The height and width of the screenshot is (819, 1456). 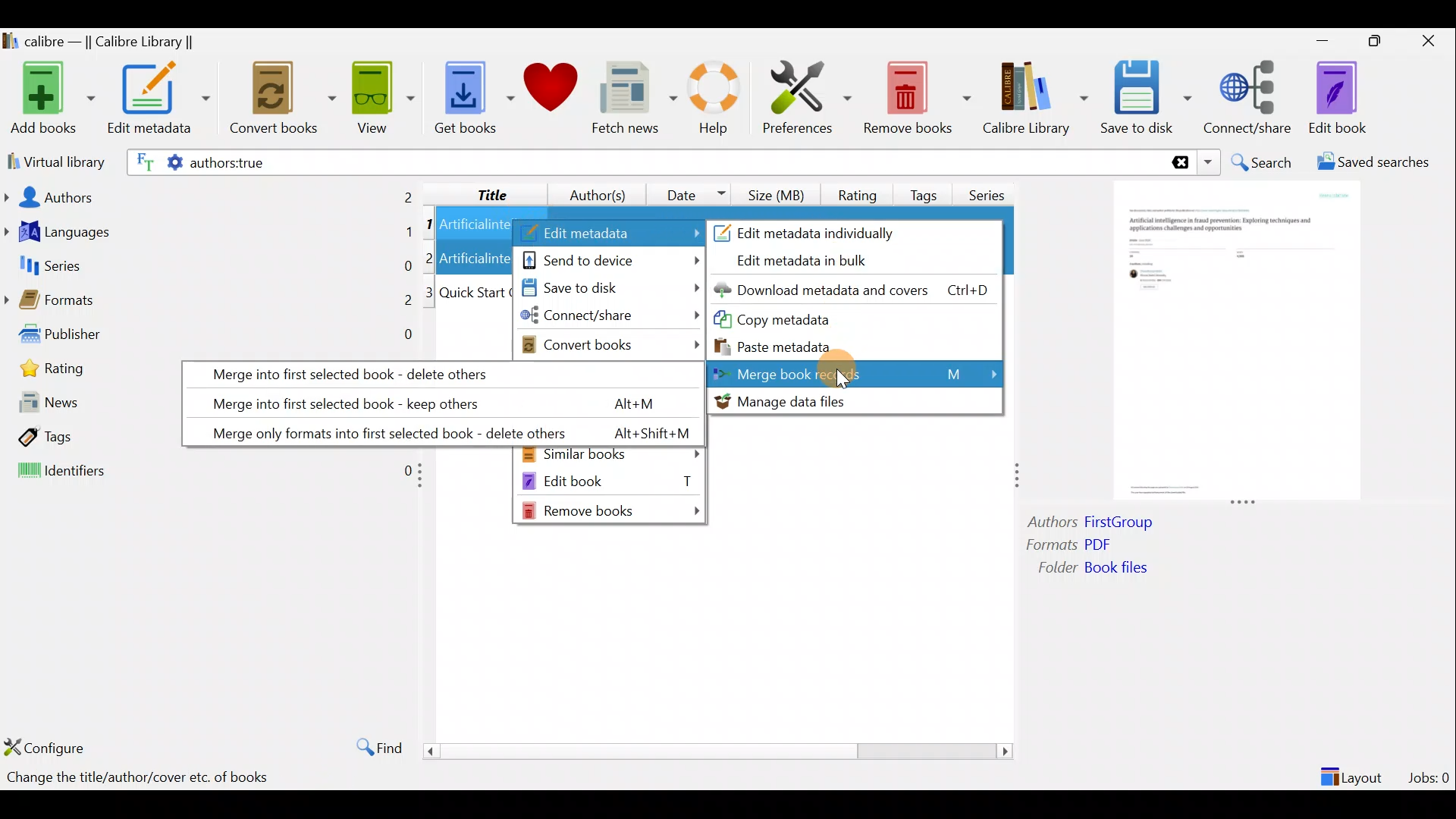 What do you see at coordinates (857, 373) in the screenshot?
I see `Merge book records` at bounding box center [857, 373].